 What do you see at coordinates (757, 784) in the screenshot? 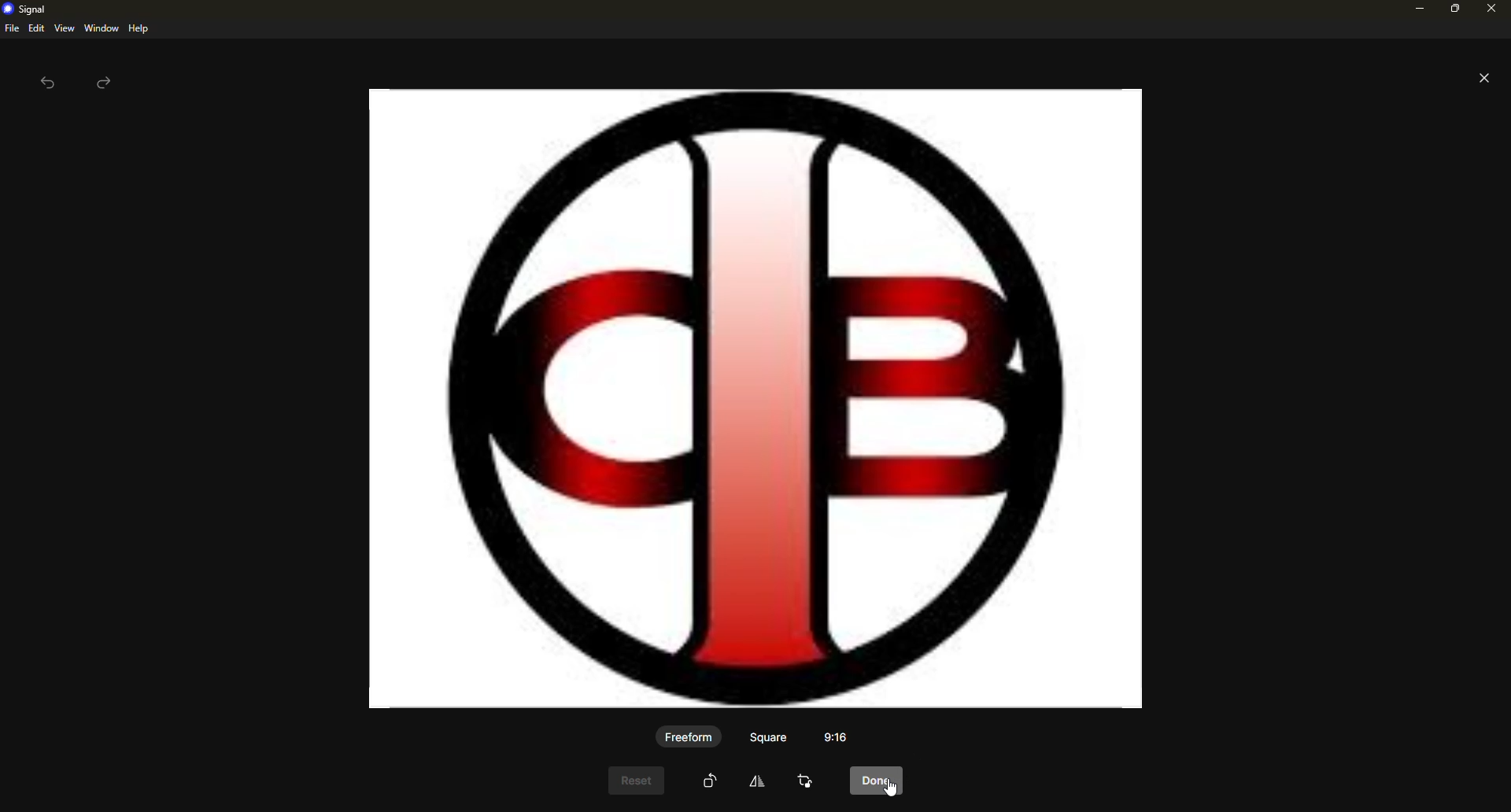
I see `move` at bounding box center [757, 784].